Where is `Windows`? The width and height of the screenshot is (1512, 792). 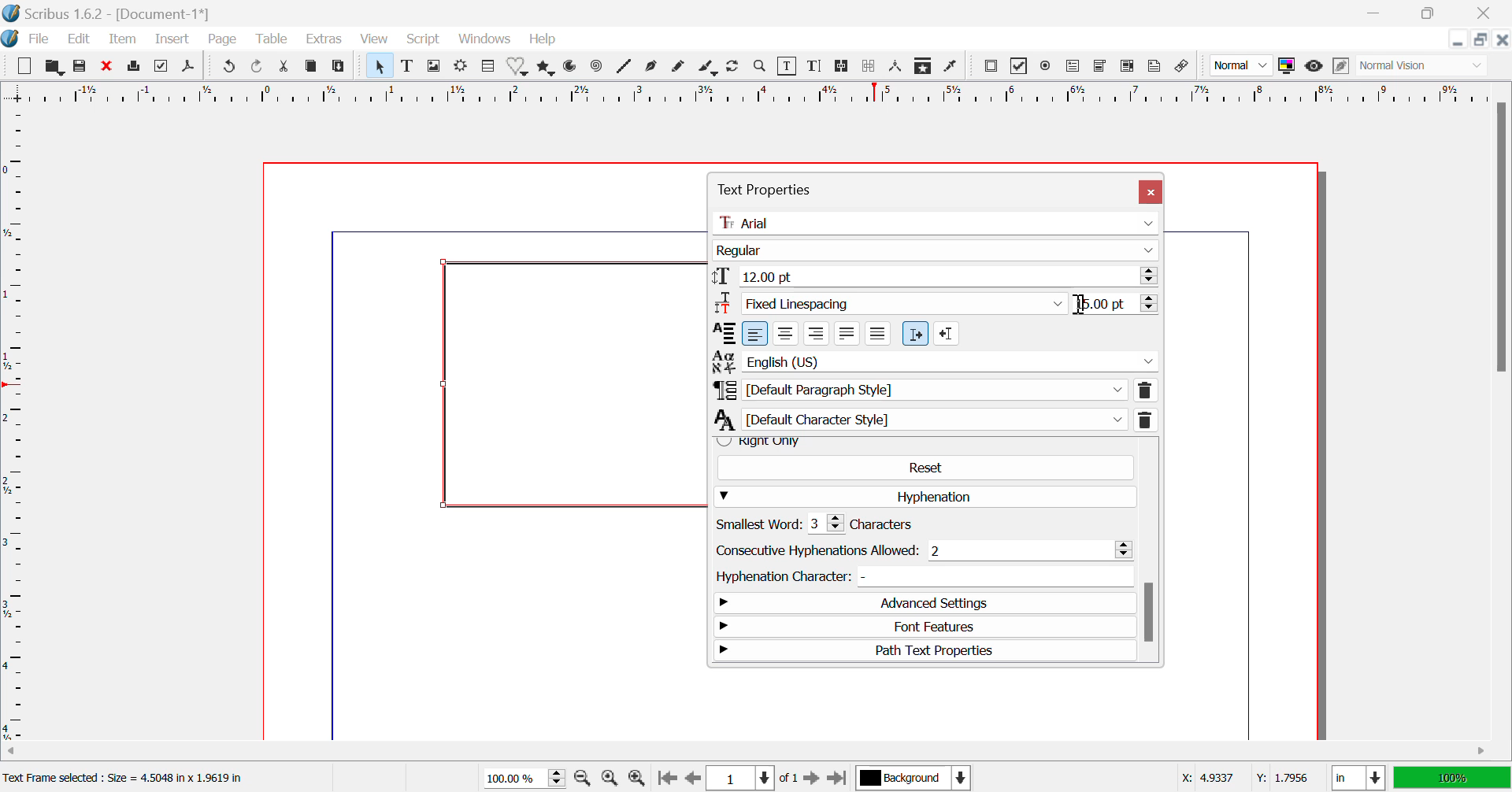 Windows is located at coordinates (485, 39).